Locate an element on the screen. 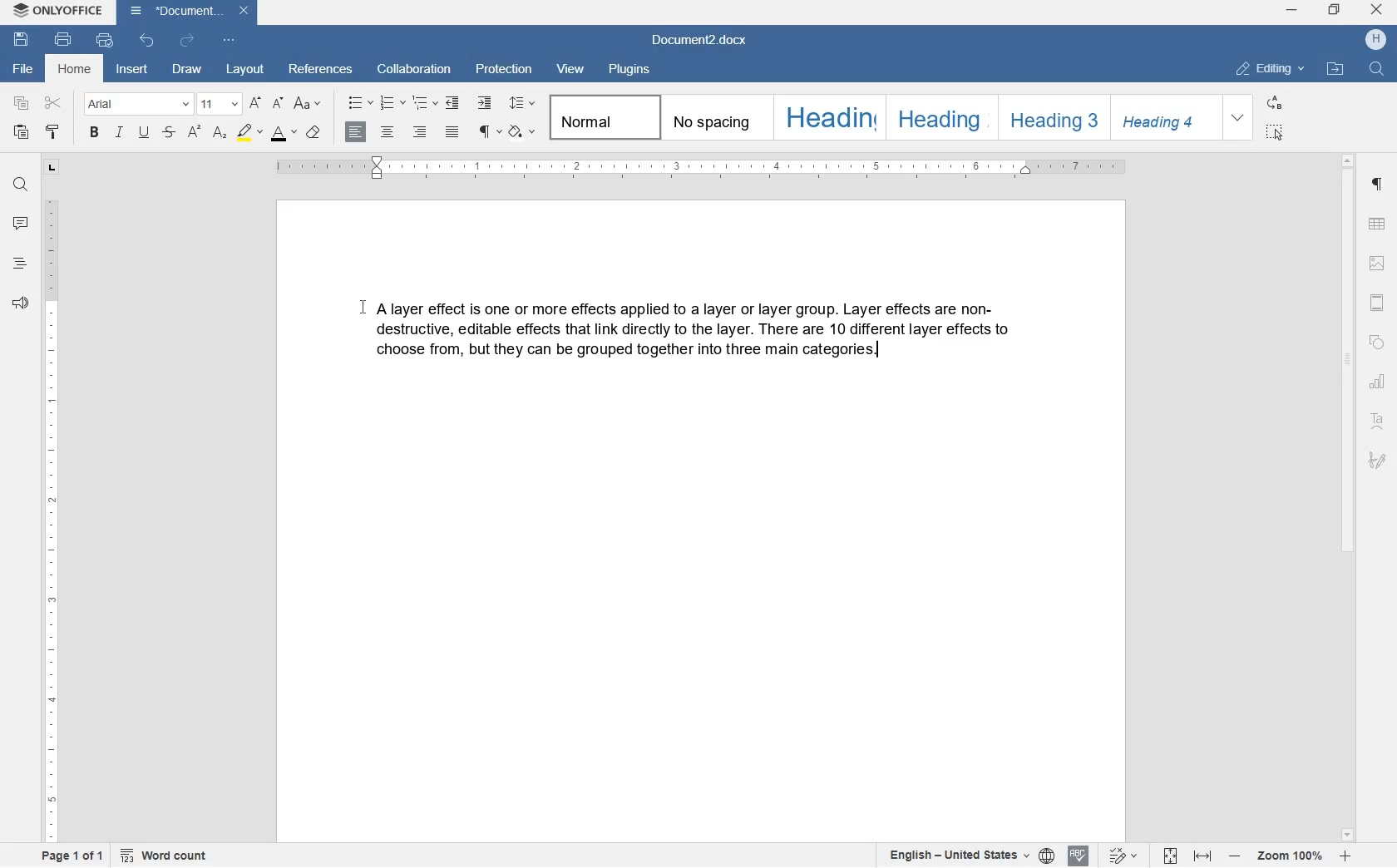  file name is located at coordinates (704, 42).